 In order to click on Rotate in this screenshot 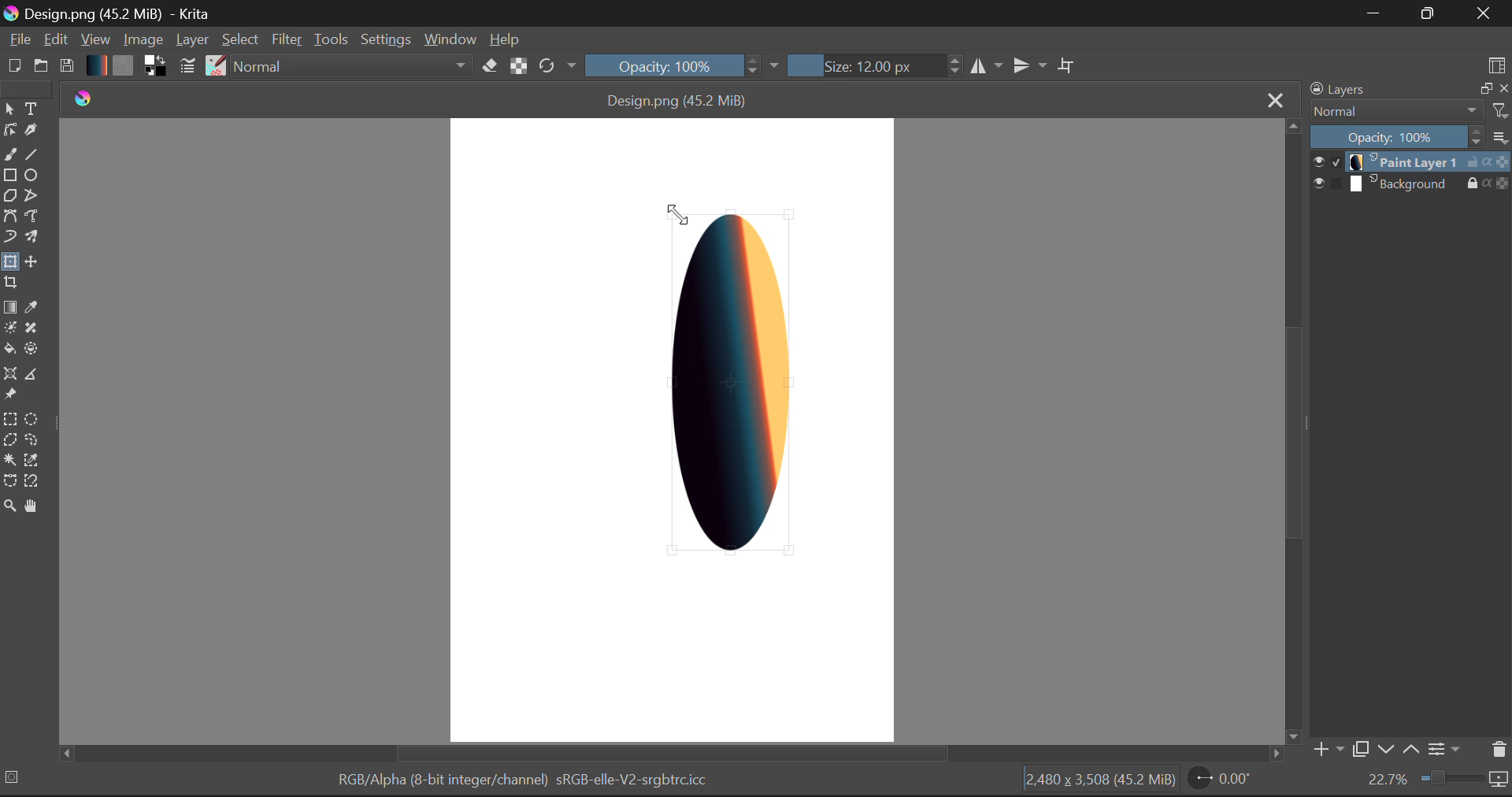, I will do `click(559, 67)`.